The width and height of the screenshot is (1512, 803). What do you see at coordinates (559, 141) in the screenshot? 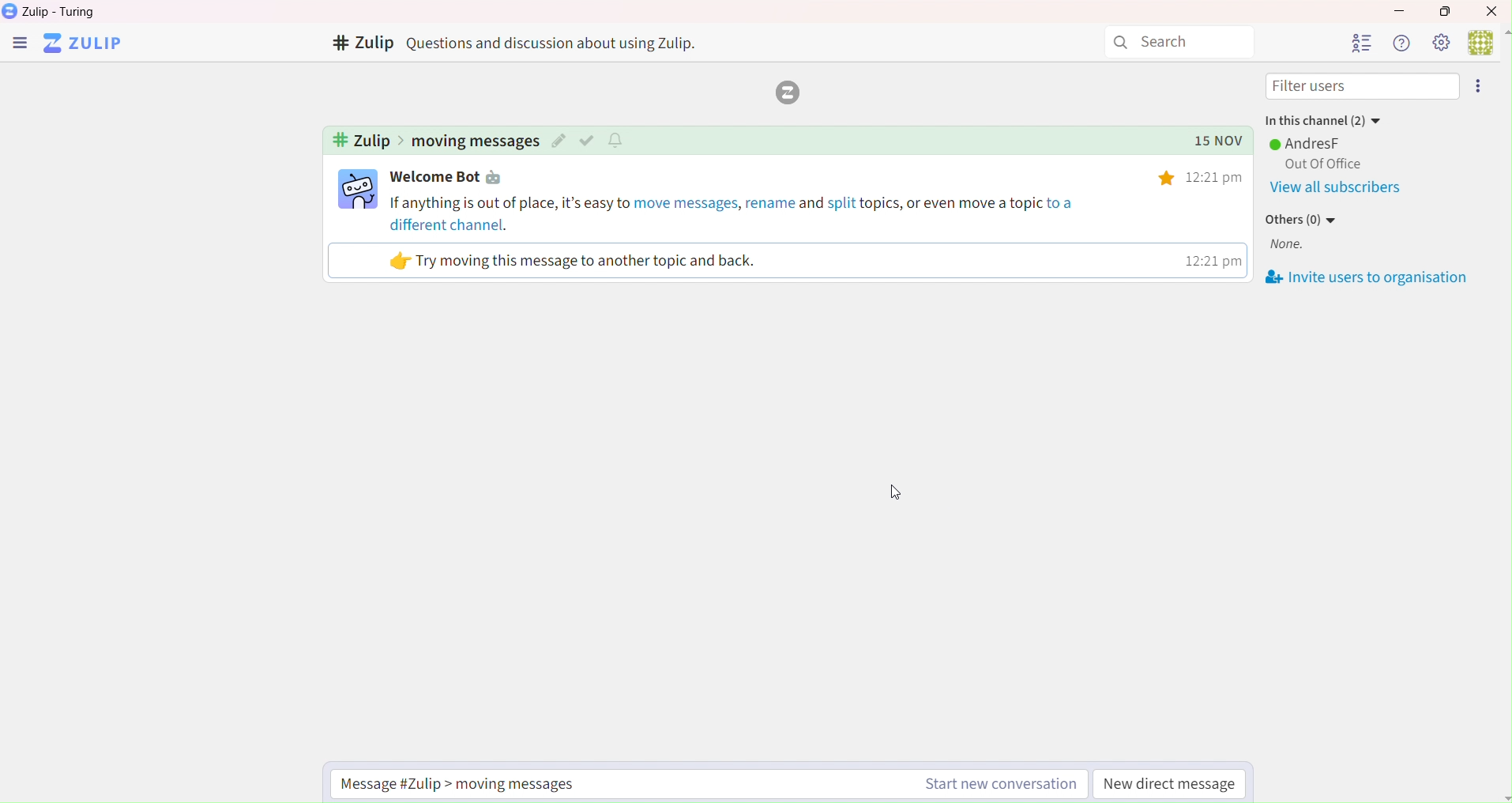
I see `edit` at bounding box center [559, 141].